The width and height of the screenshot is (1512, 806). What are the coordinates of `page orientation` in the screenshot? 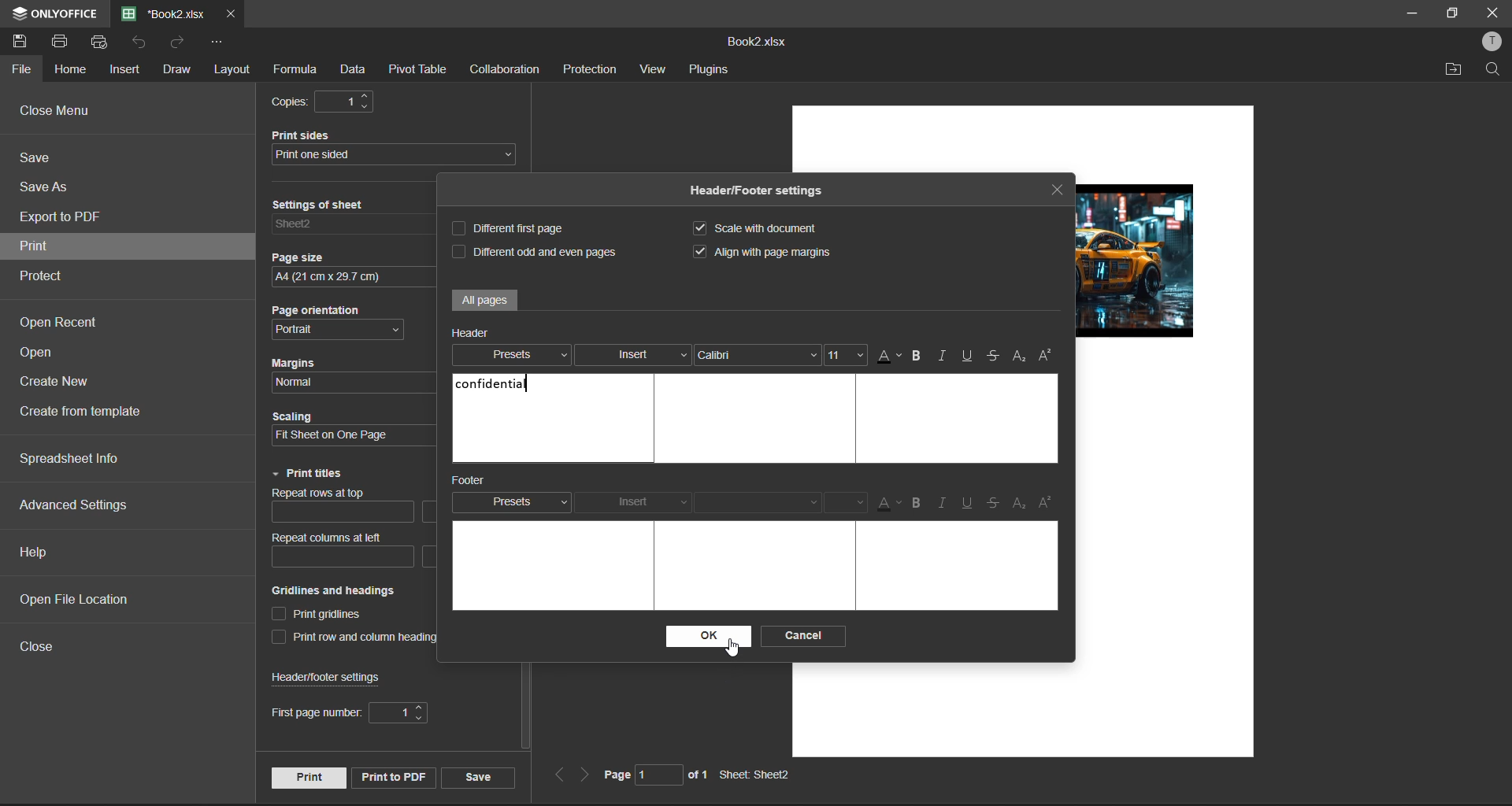 It's located at (344, 322).